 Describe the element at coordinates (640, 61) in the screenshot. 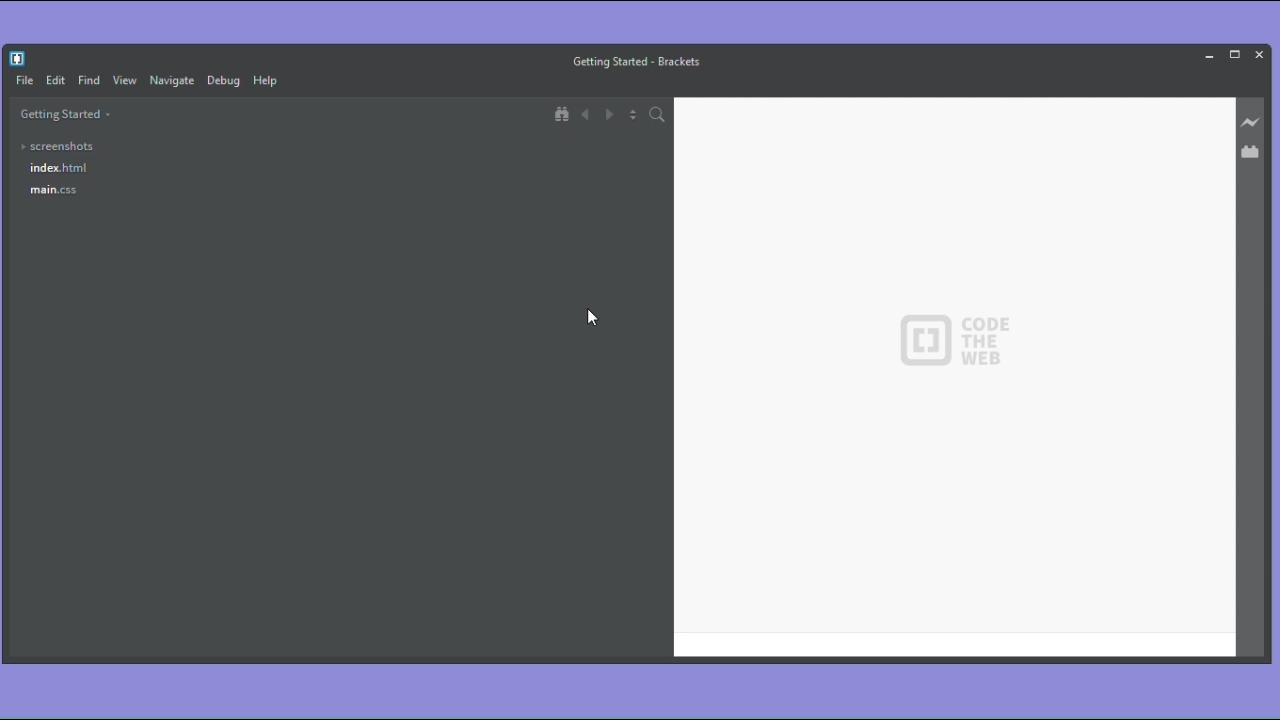

I see `getting started - brackets` at that location.